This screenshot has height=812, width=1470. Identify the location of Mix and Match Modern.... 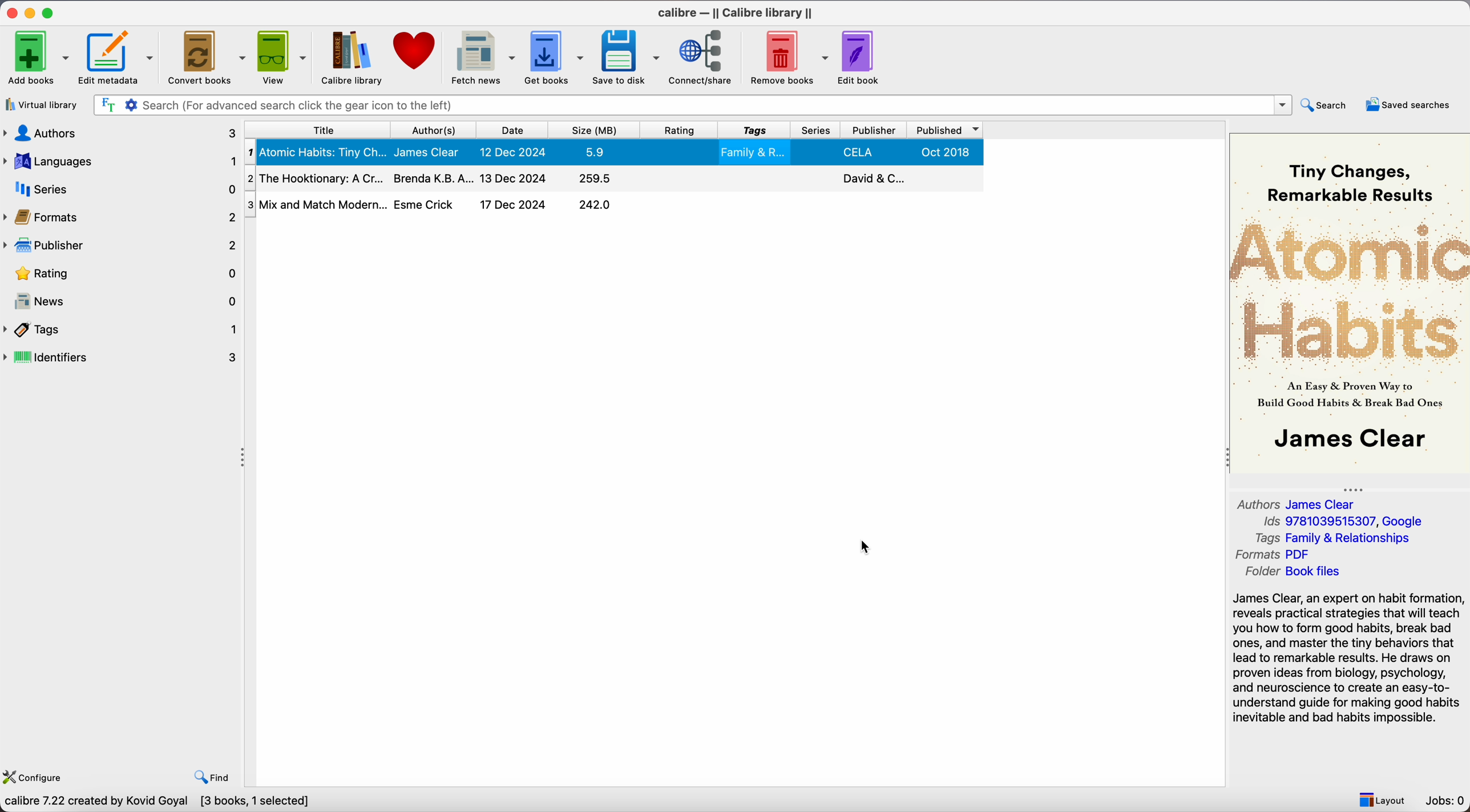
(316, 201).